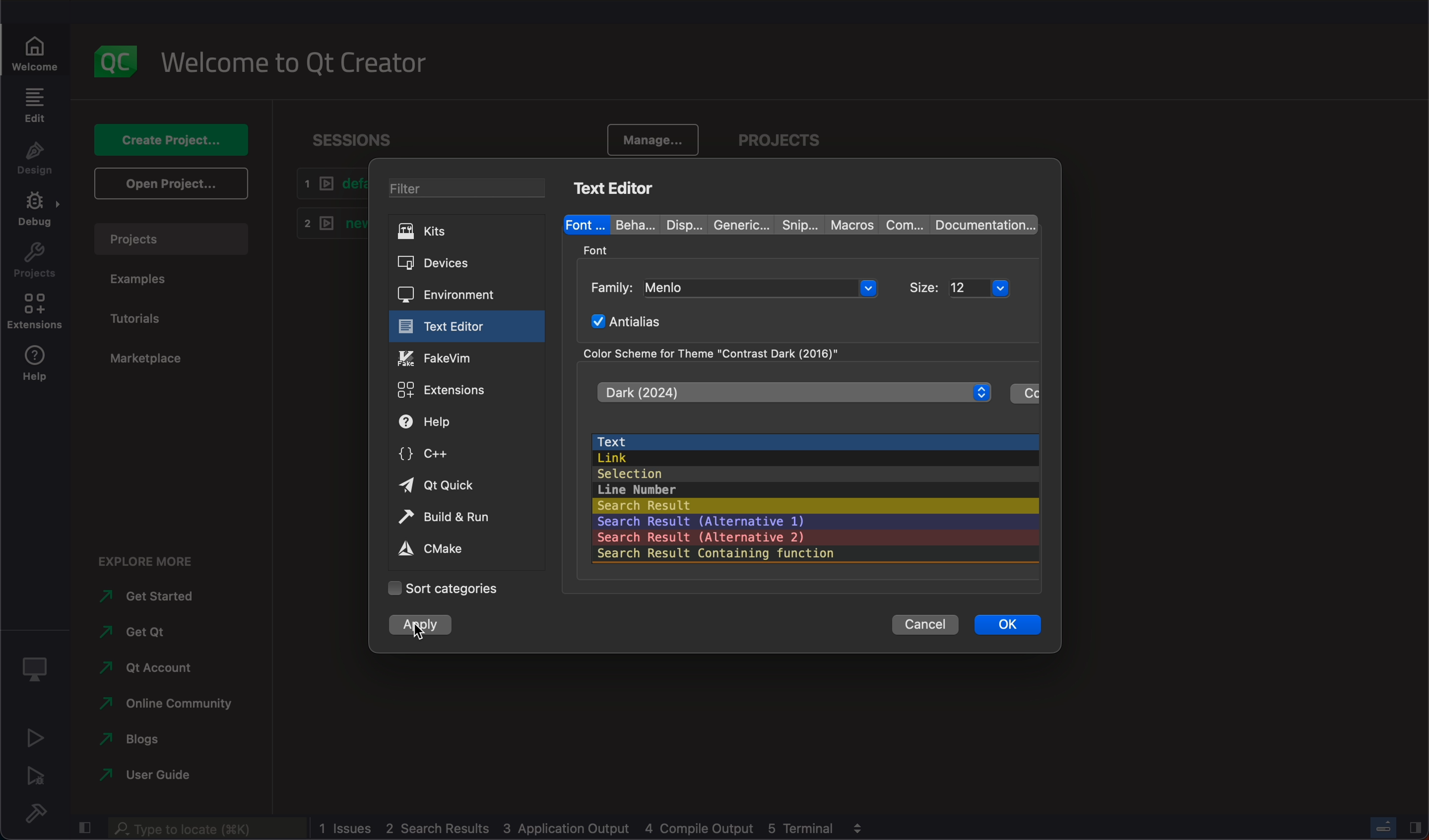 This screenshot has height=840, width=1429. I want to click on Menlo, so click(762, 289).